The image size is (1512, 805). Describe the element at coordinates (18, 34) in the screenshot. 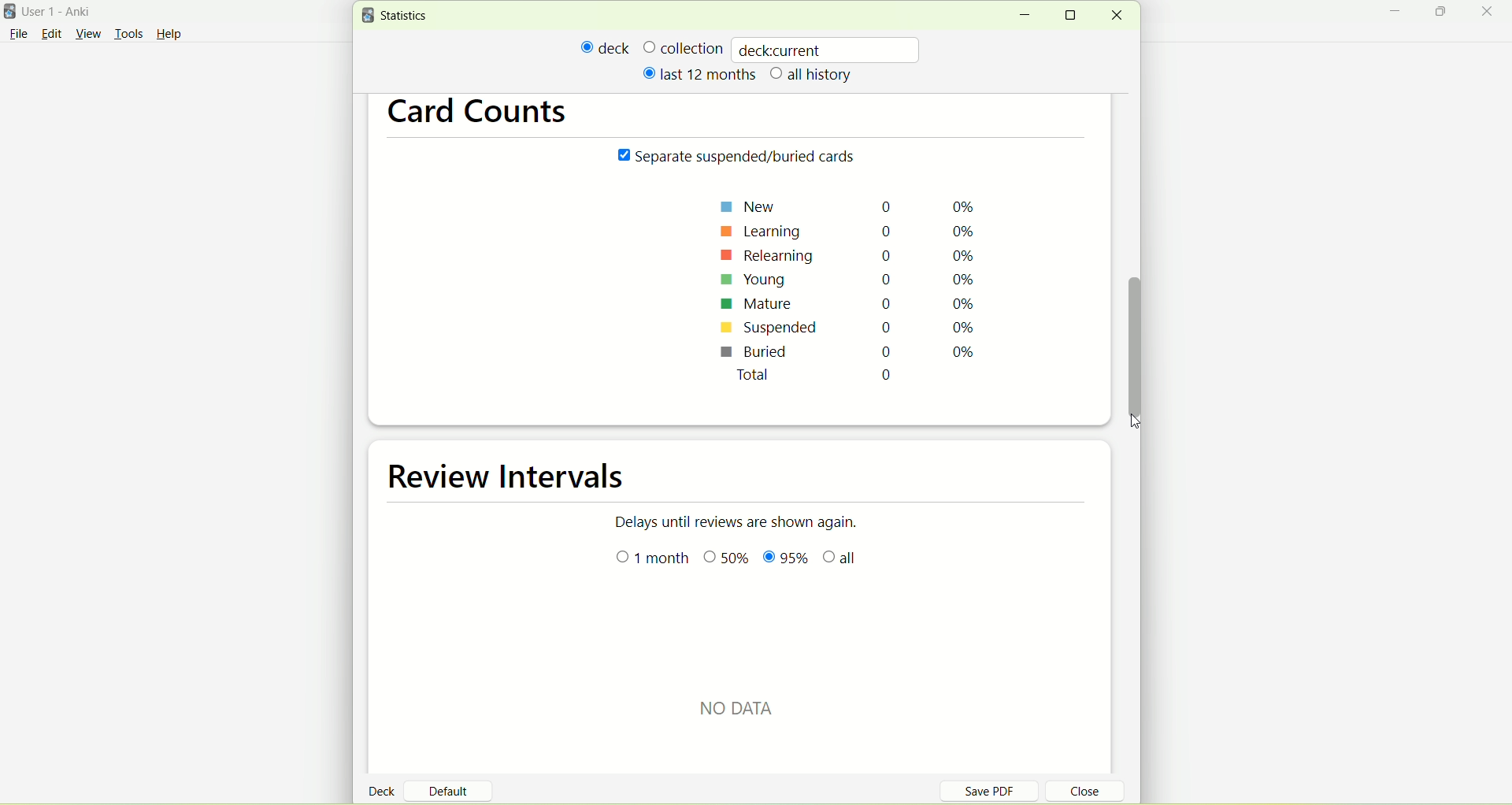

I see `File ` at that location.